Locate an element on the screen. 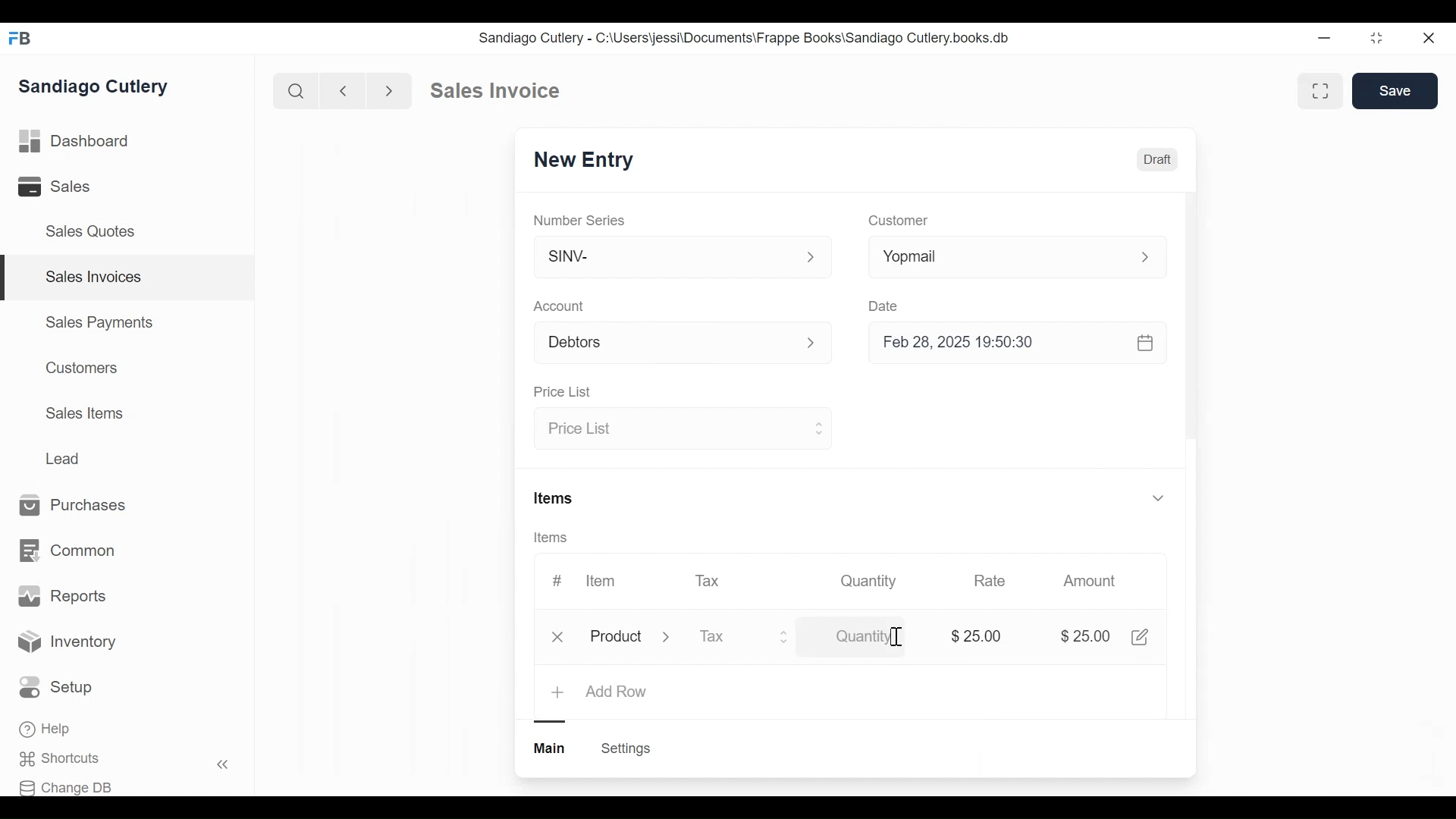 Image resolution: width=1456 pixels, height=819 pixels. Quantity is located at coordinates (855, 639).